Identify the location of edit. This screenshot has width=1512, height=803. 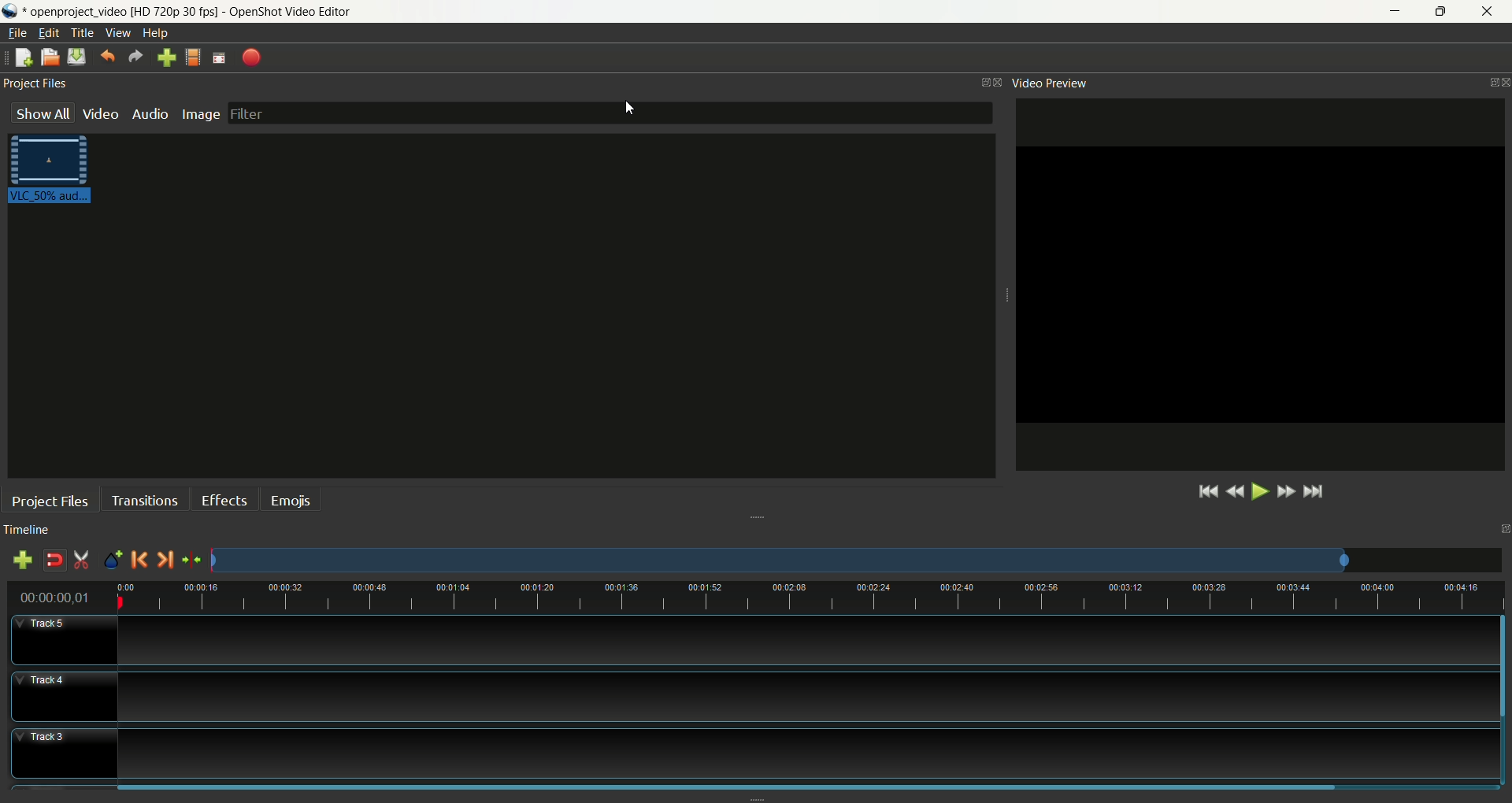
(46, 33).